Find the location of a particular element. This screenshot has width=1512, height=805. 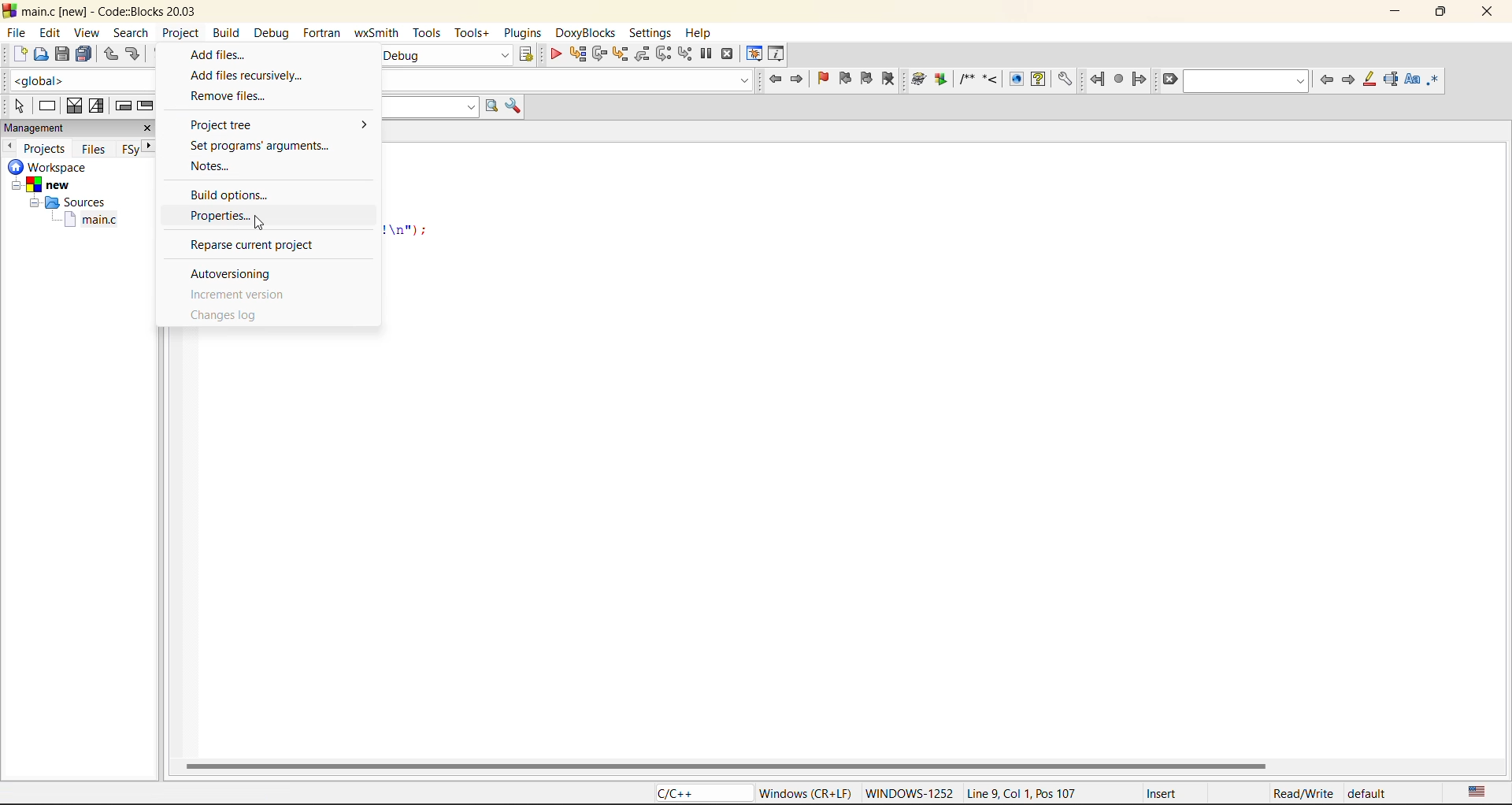

previous is located at coordinates (9, 146).